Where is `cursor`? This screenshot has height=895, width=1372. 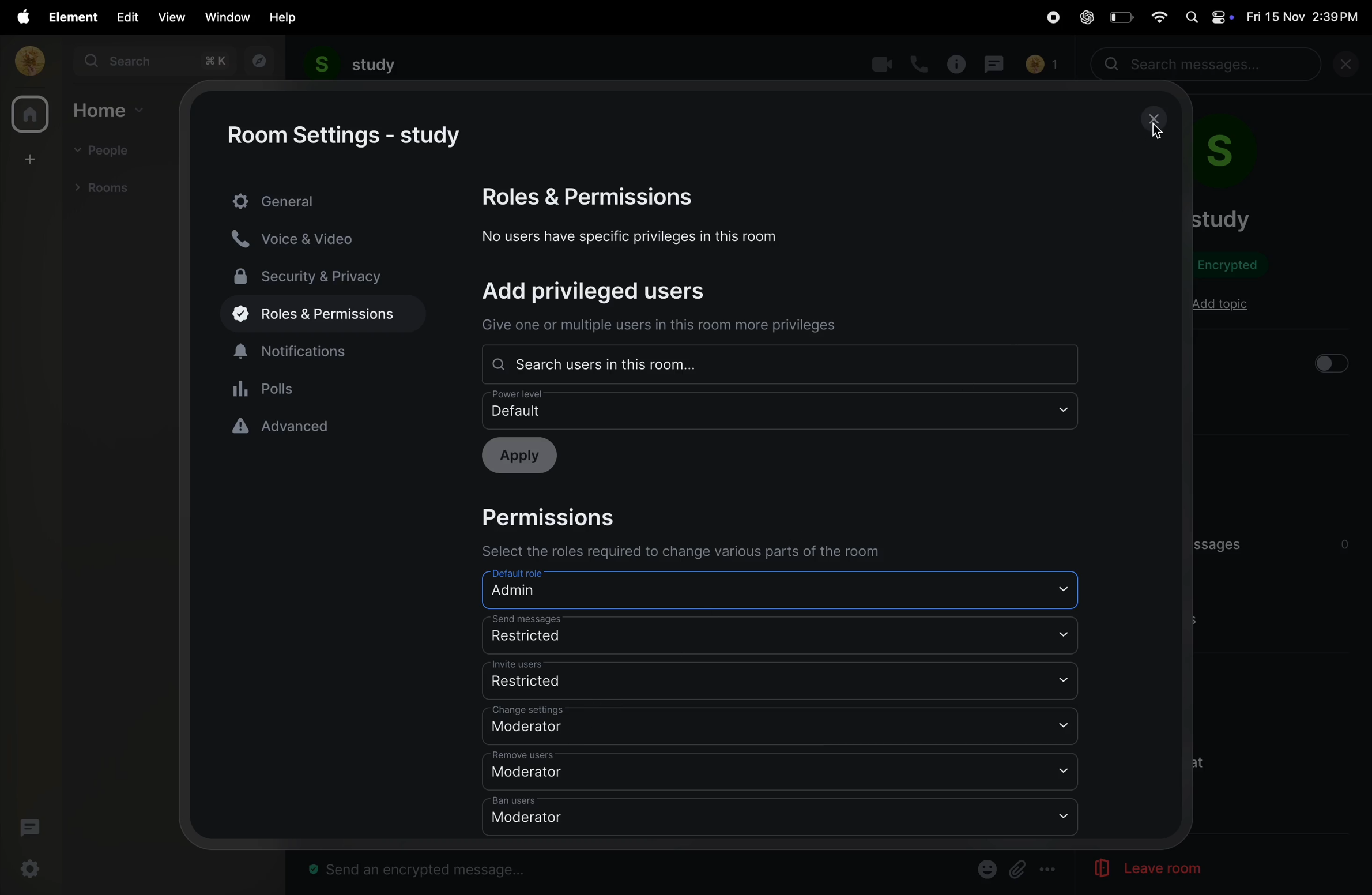
cursor is located at coordinates (1162, 127).